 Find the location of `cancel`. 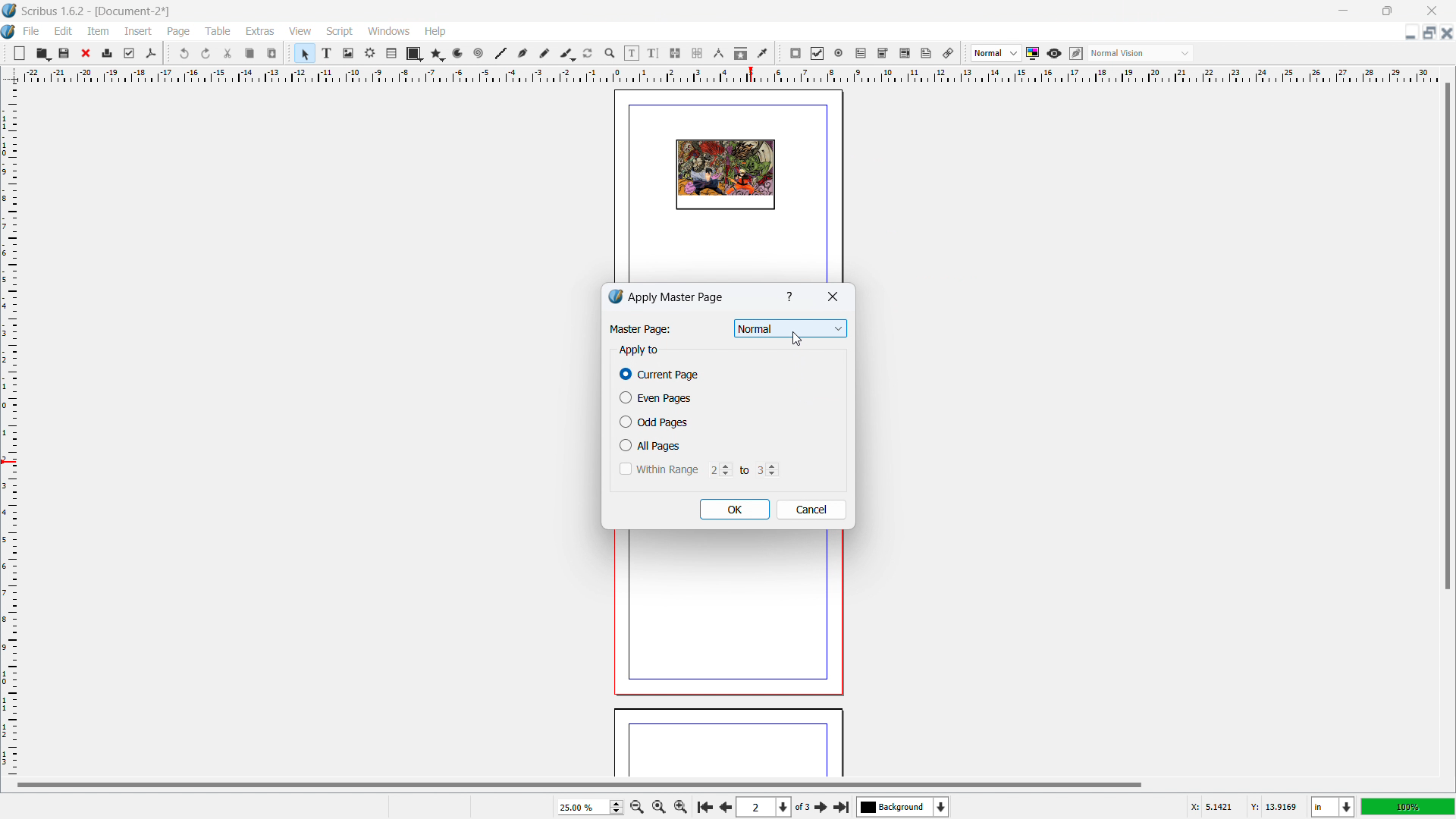

cancel is located at coordinates (811, 510).